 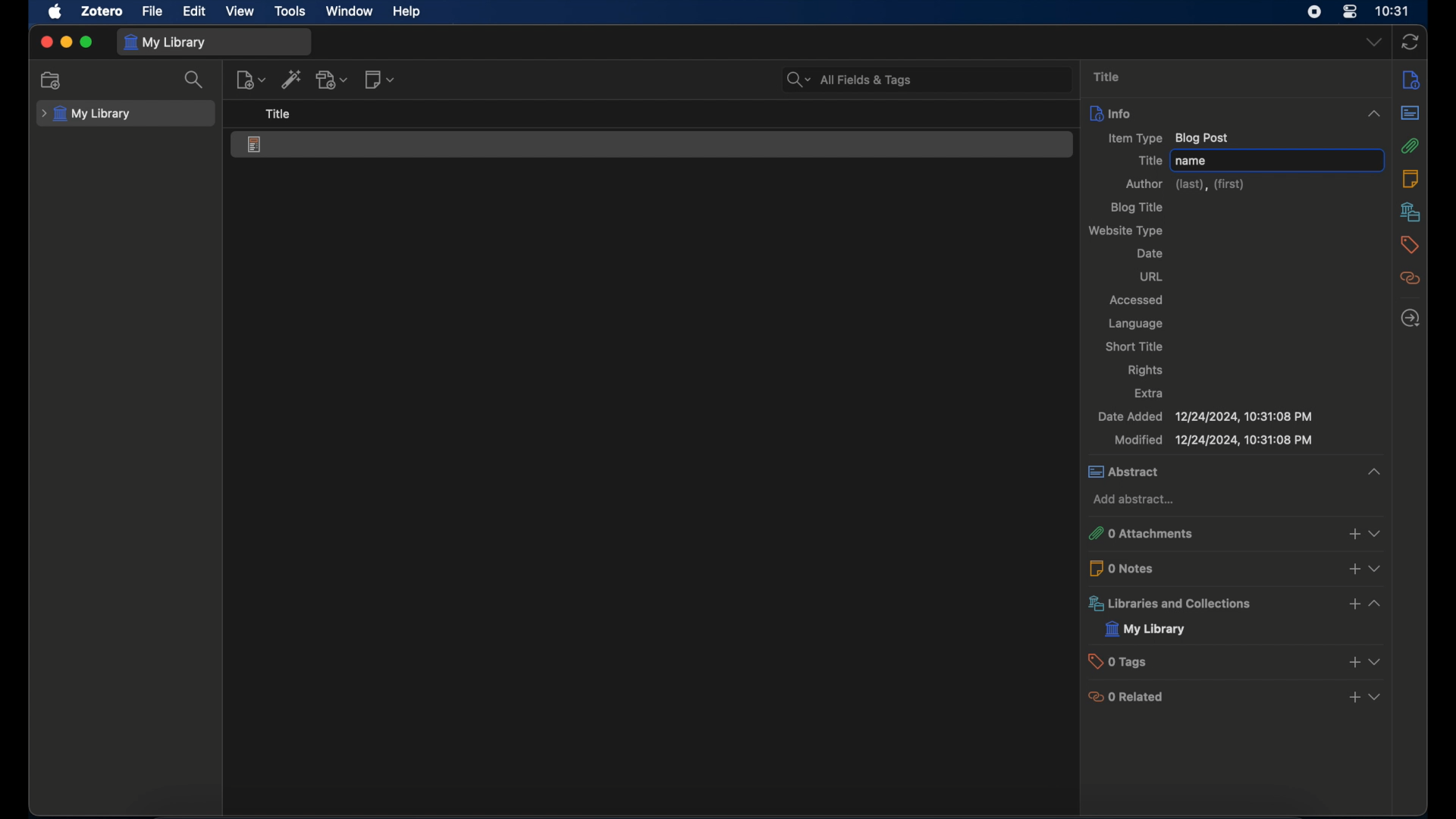 I want to click on view, so click(x=240, y=12).